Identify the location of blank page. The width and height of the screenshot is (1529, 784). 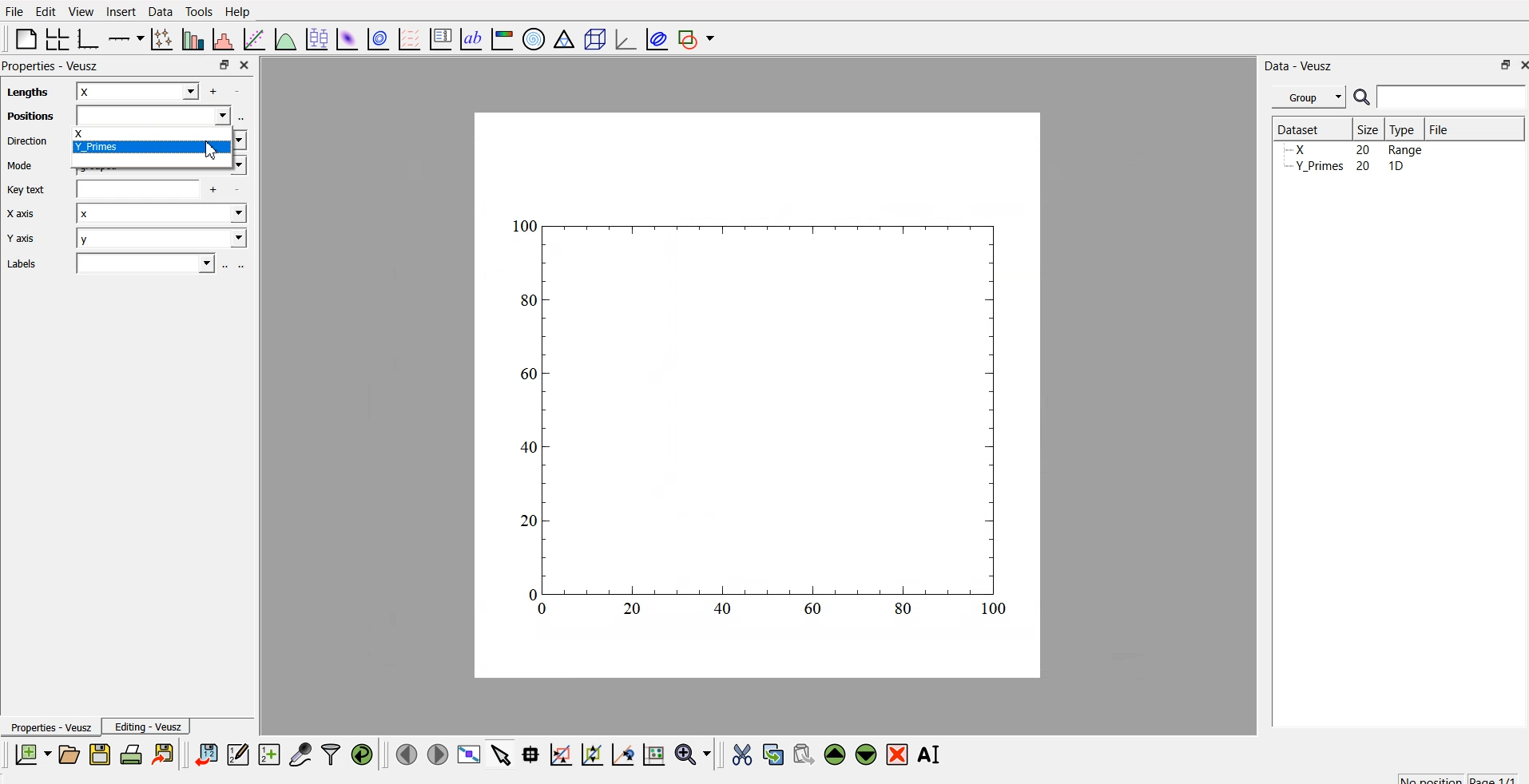
(22, 38).